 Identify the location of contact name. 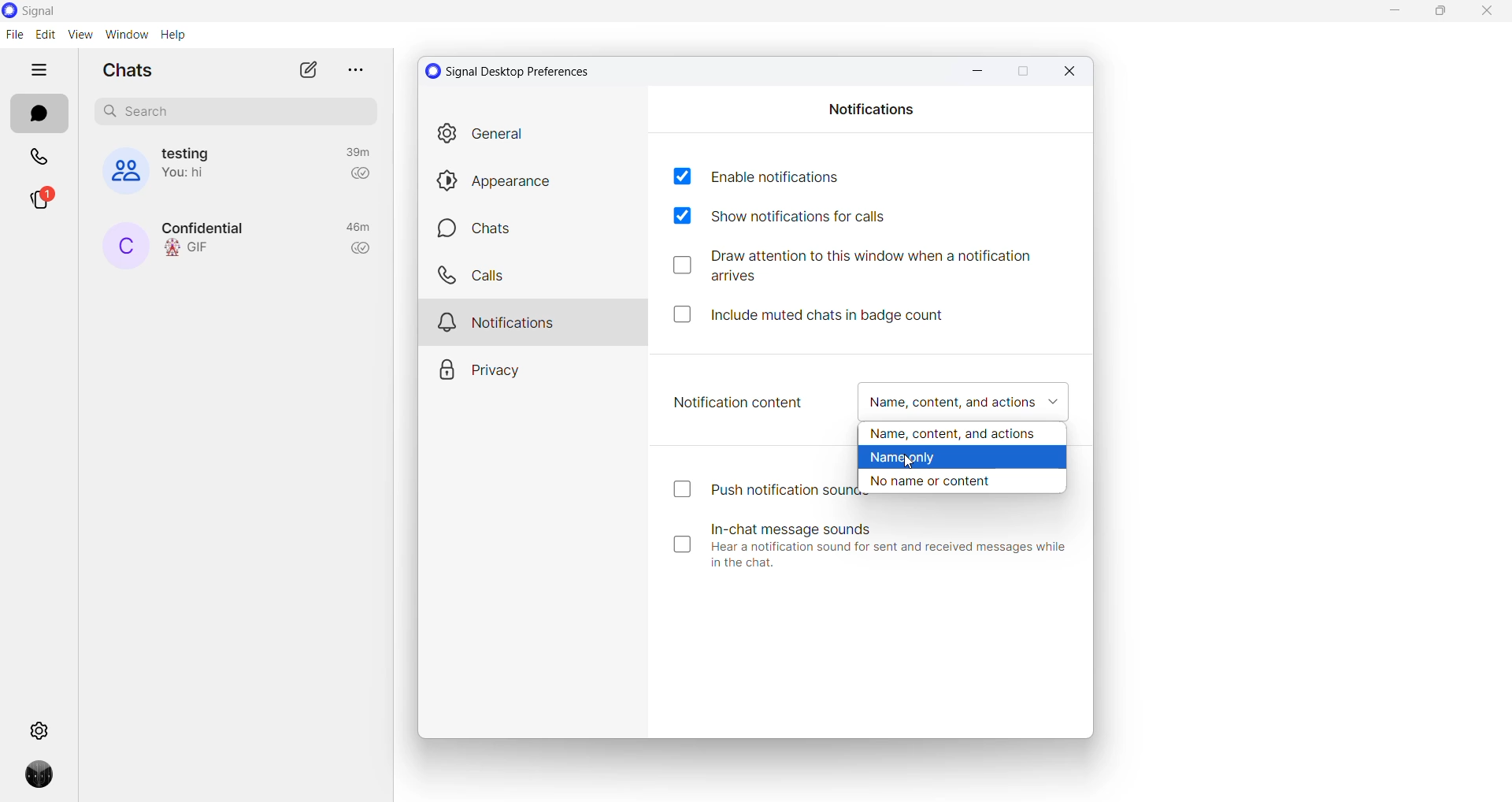
(124, 247).